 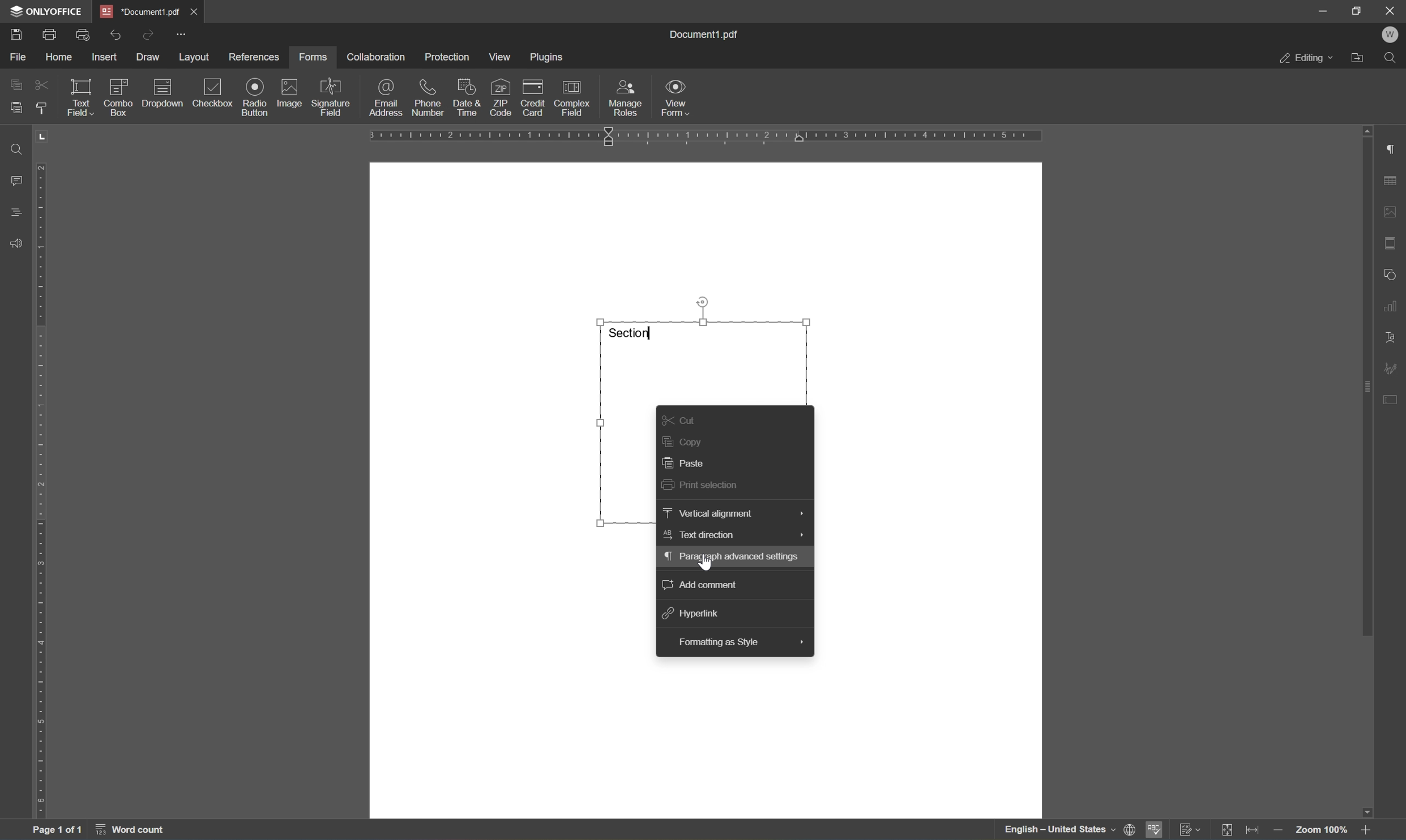 What do you see at coordinates (626, 97) in the screenshot?
I see `manage roles` at bounding box center [626, 97].